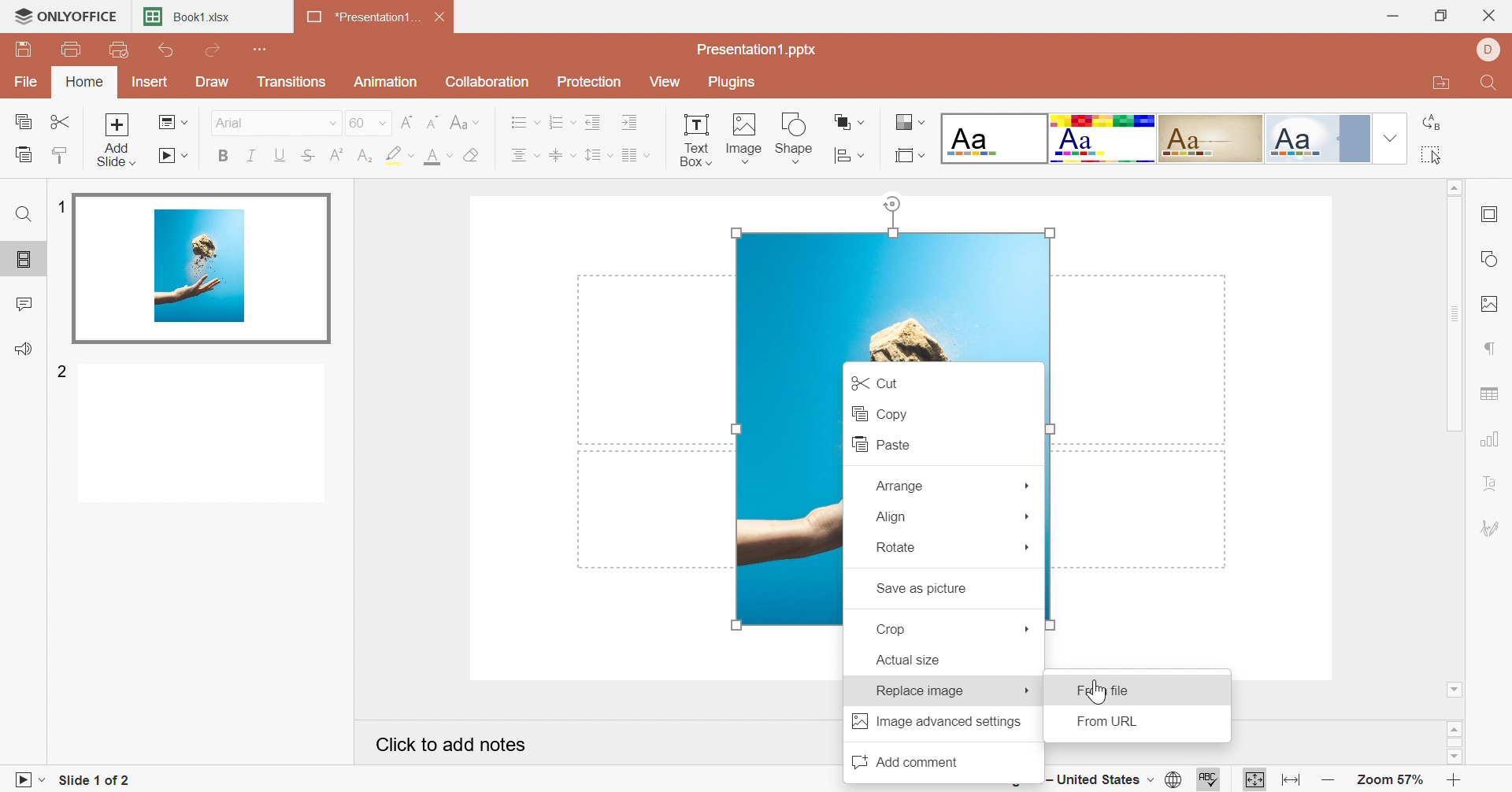 This screenshot has width=1512, height=792. I want to click on Scroll Bar, so click(1455, 313).